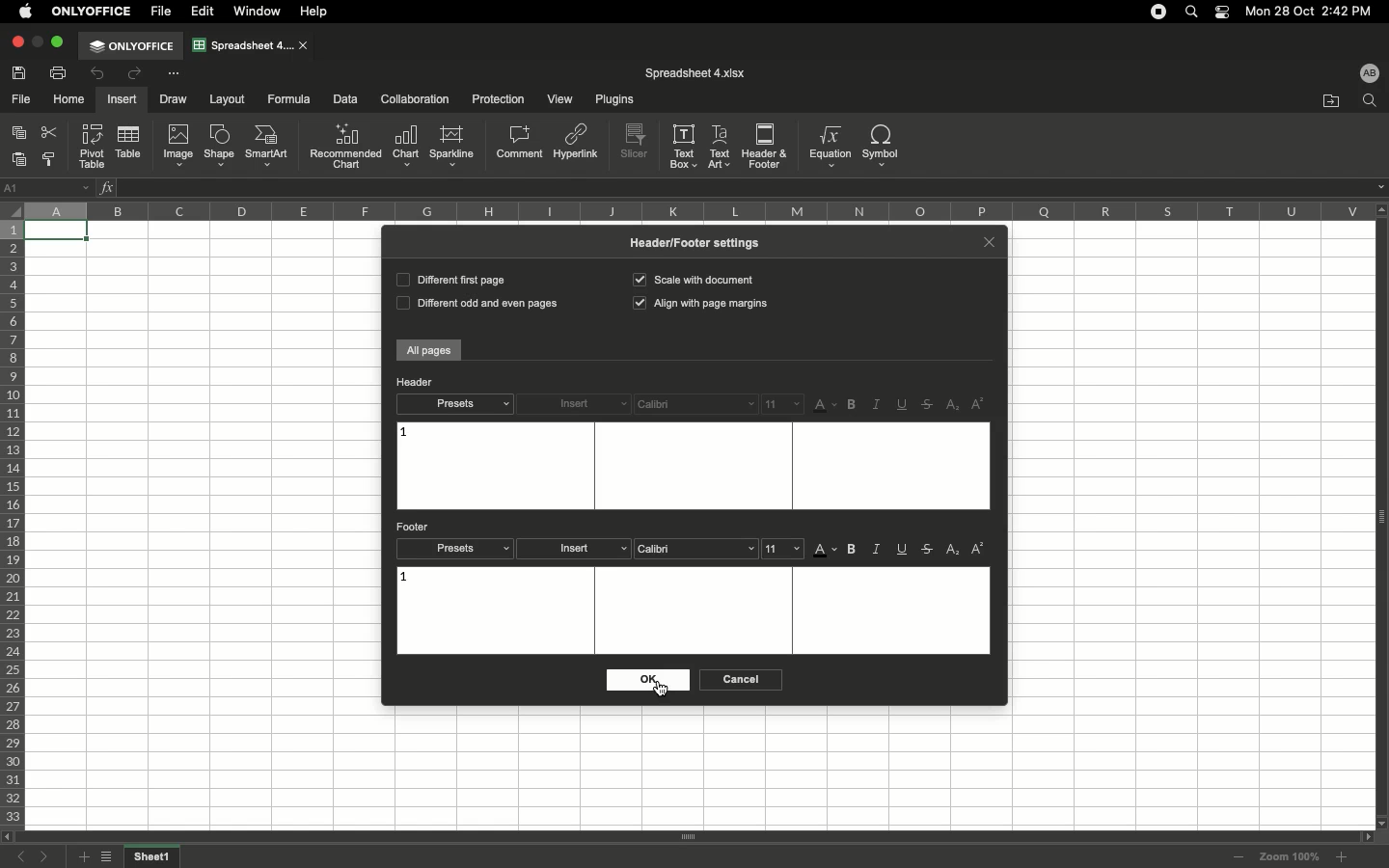  Describe the element at coordinates (930, 404) in the screenshot. I see `Strikethrough` at that location.